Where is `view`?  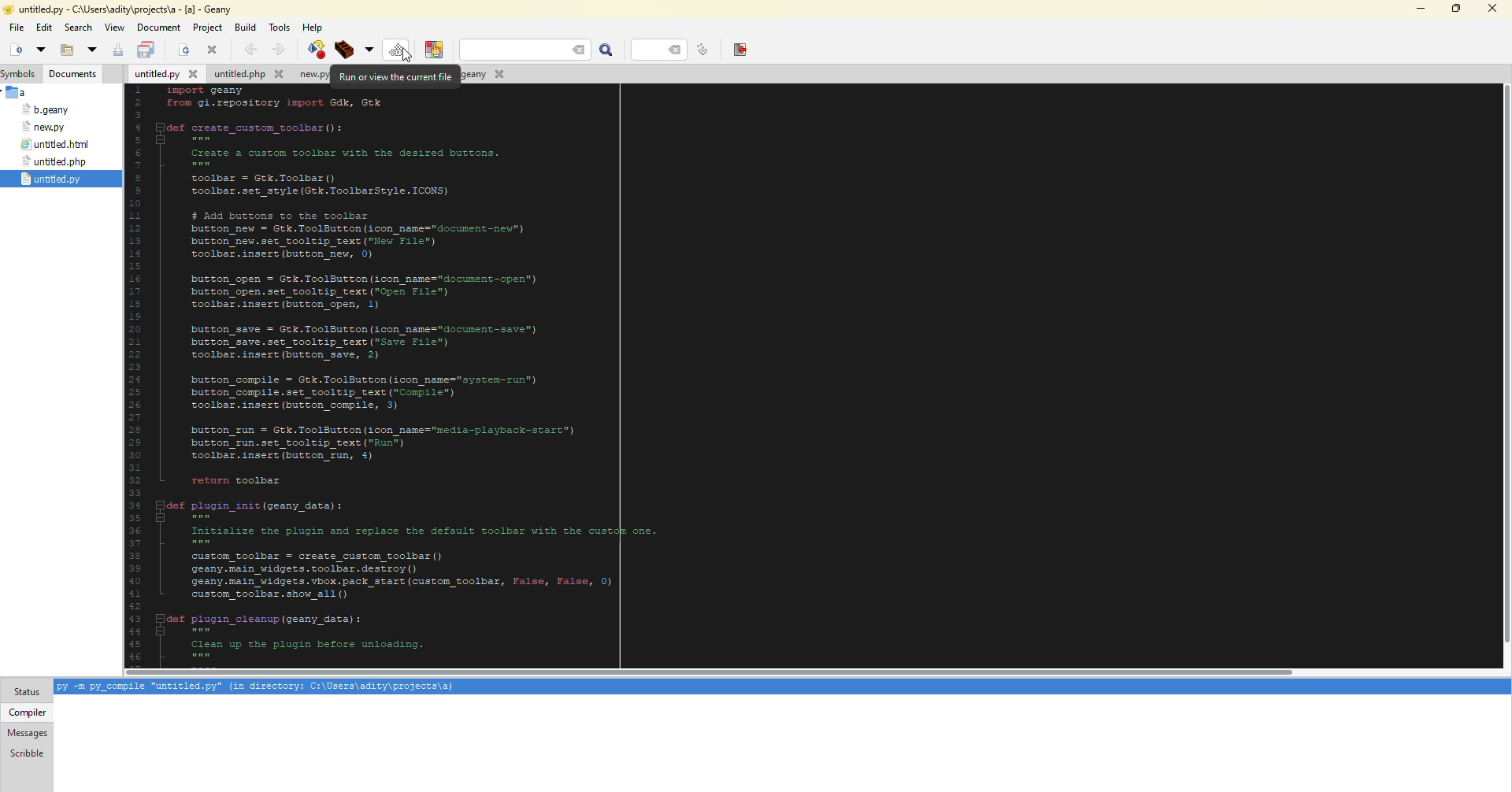
view is located at coordinates (114, 28).